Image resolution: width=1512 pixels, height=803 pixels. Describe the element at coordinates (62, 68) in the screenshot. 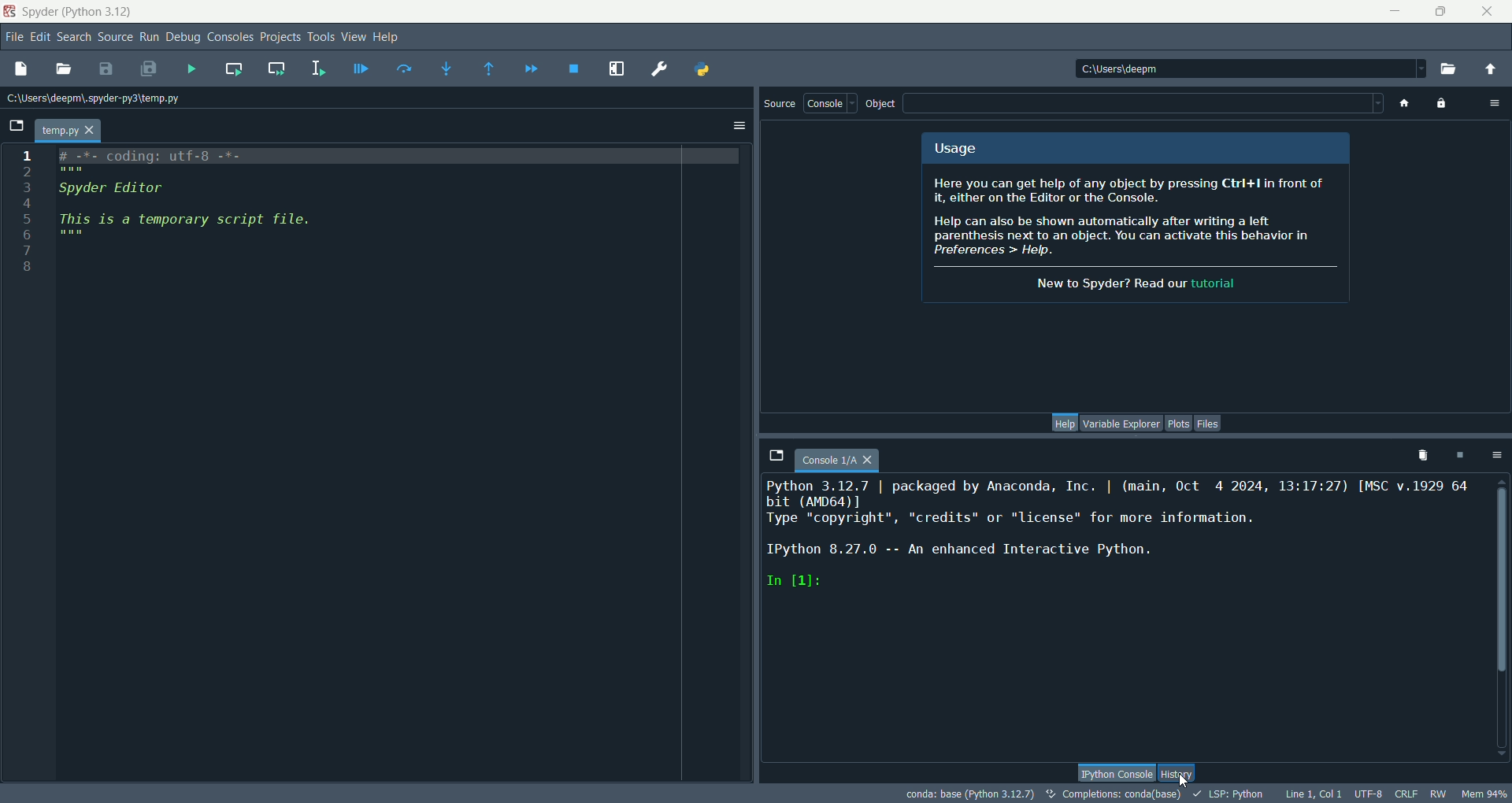

I see `open` at that location.